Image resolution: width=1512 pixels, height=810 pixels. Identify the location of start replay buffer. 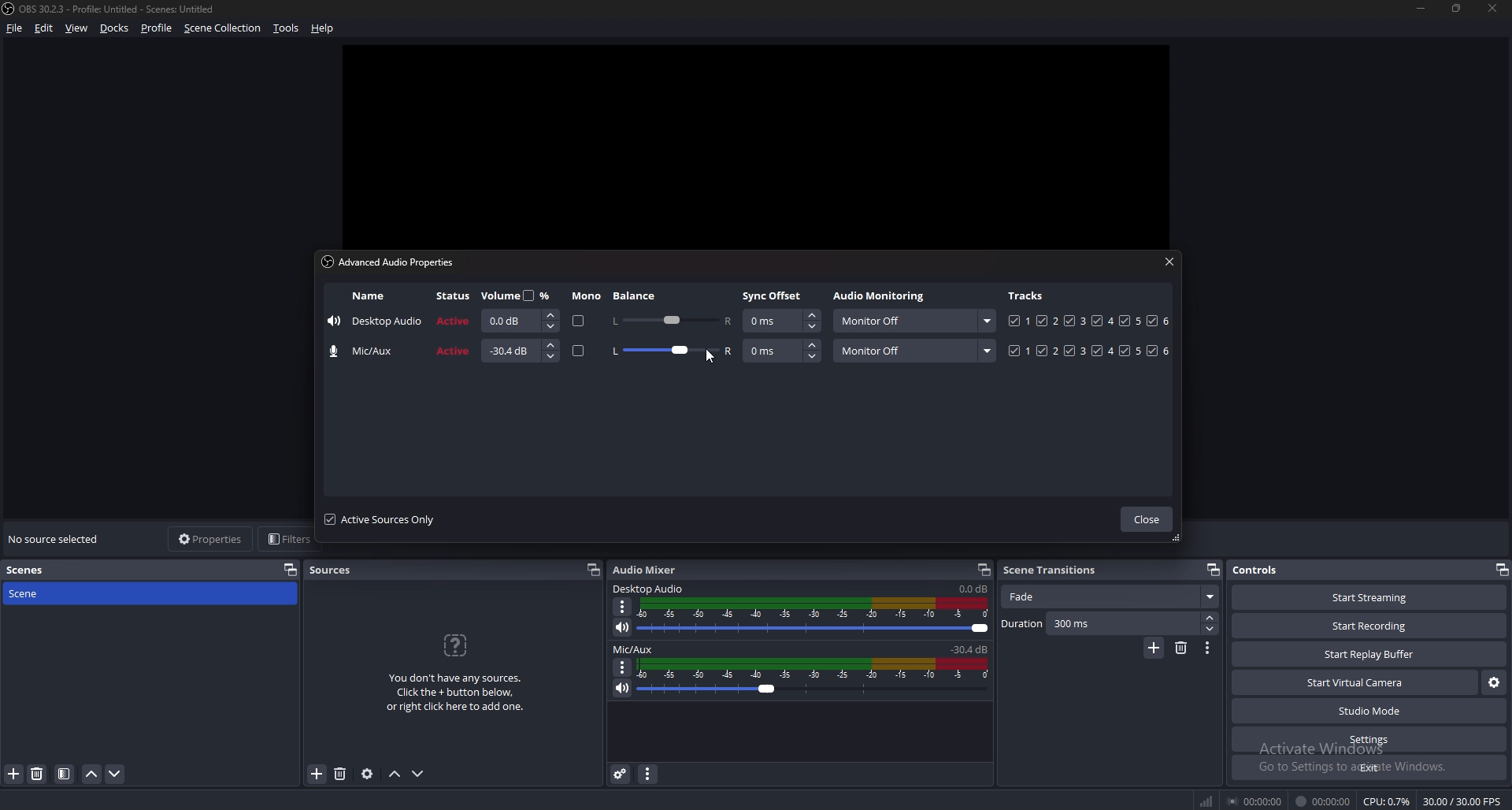
(1368, 653).